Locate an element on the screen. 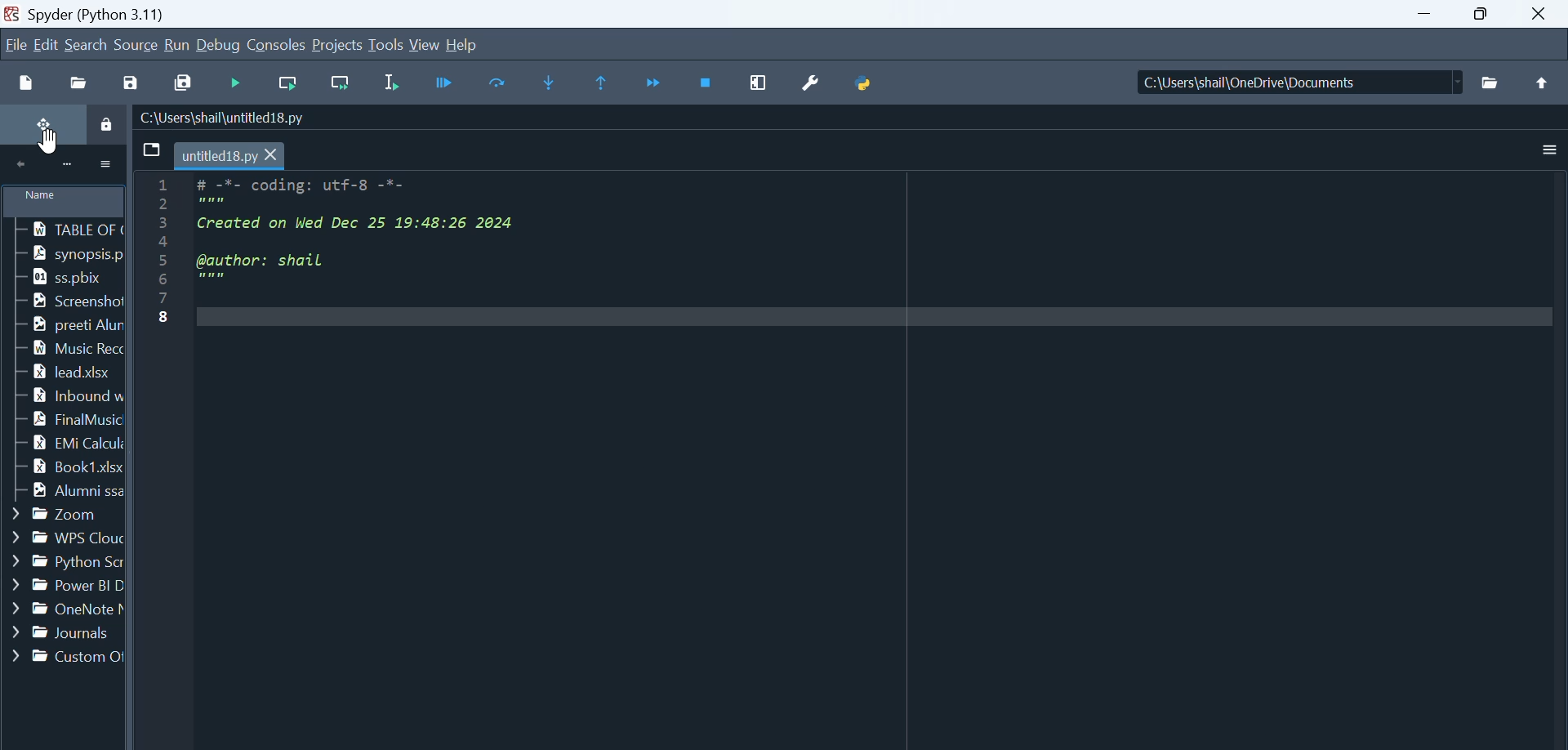  Spyder (Python 3.11) is located at coordinates (144, 13).